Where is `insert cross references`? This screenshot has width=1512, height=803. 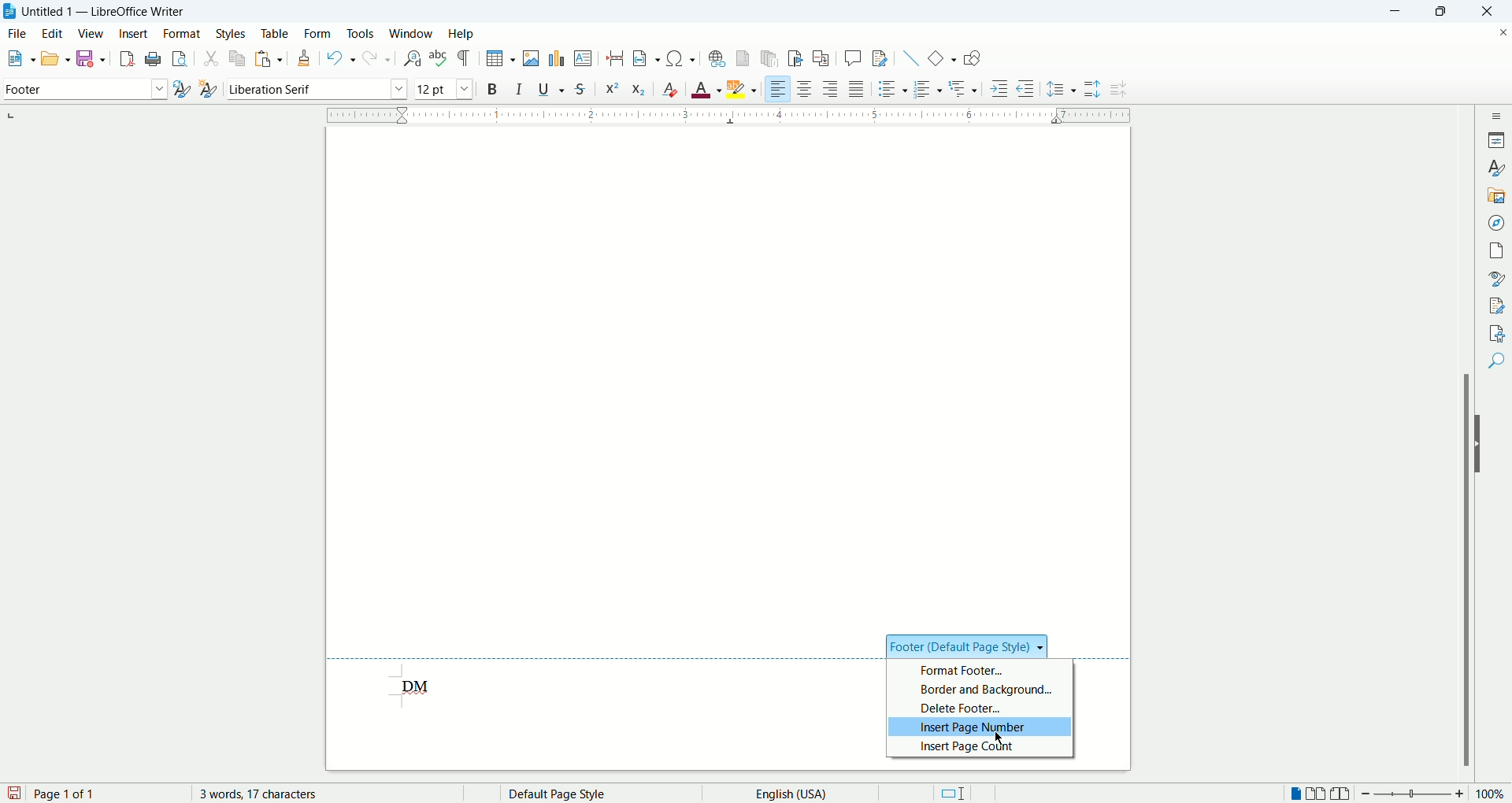 insert cross references is located at coordinates (821, 59).